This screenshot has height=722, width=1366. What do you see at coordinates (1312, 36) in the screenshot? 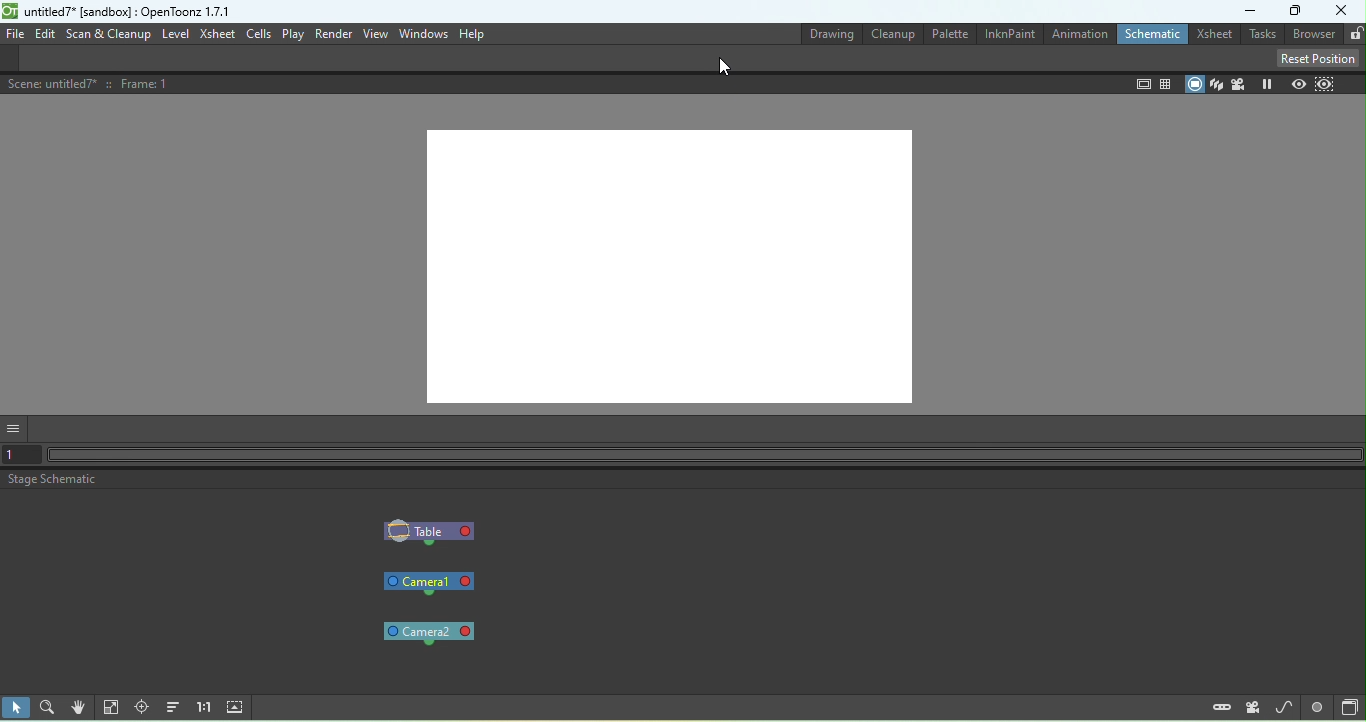
I see `Browser` at bounding box center [1312, 36].